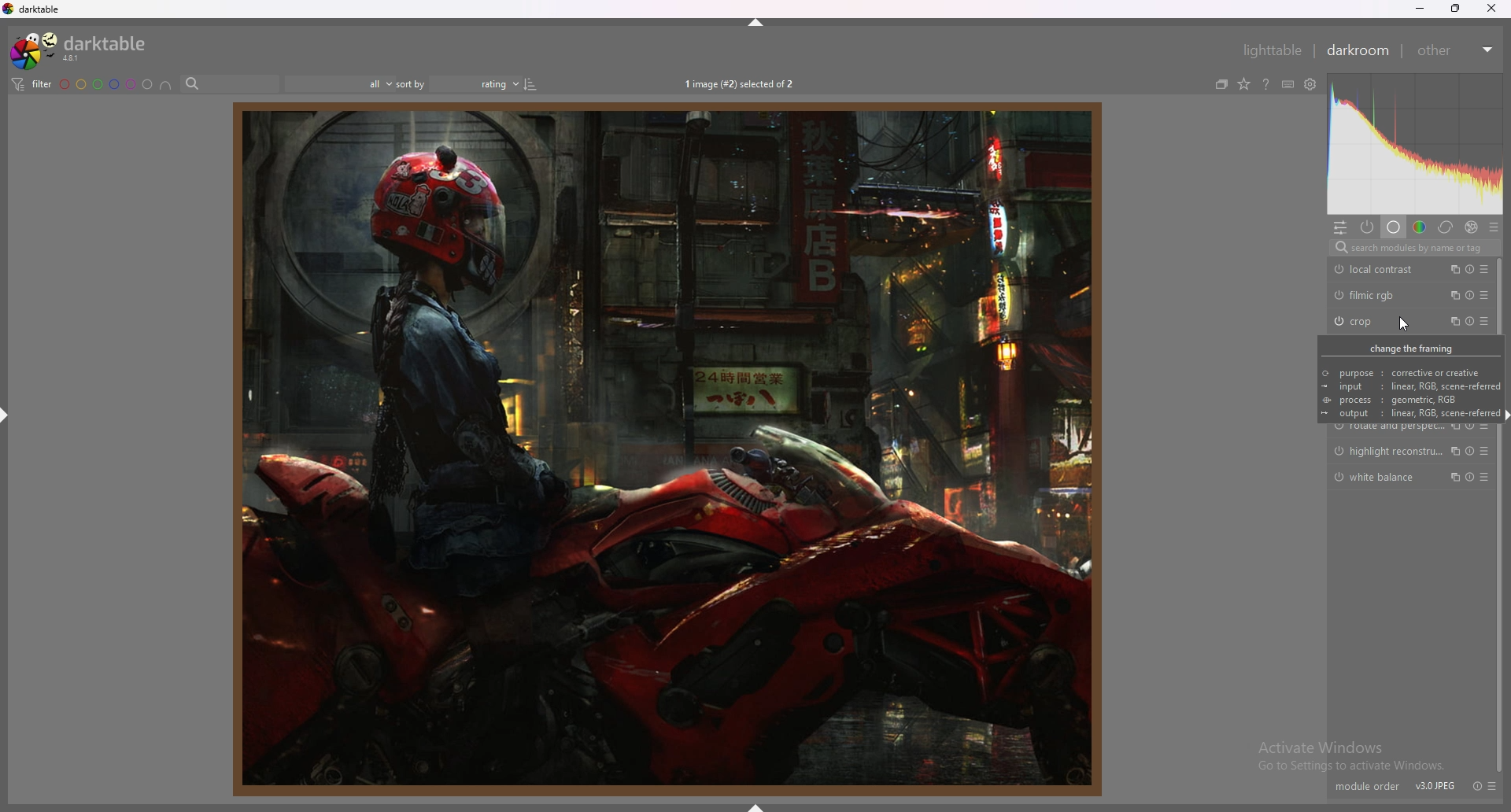  What do you see at coordinates (1470, 477) in the screenshot?
I see `reset` at bounding box center [1470, 477].